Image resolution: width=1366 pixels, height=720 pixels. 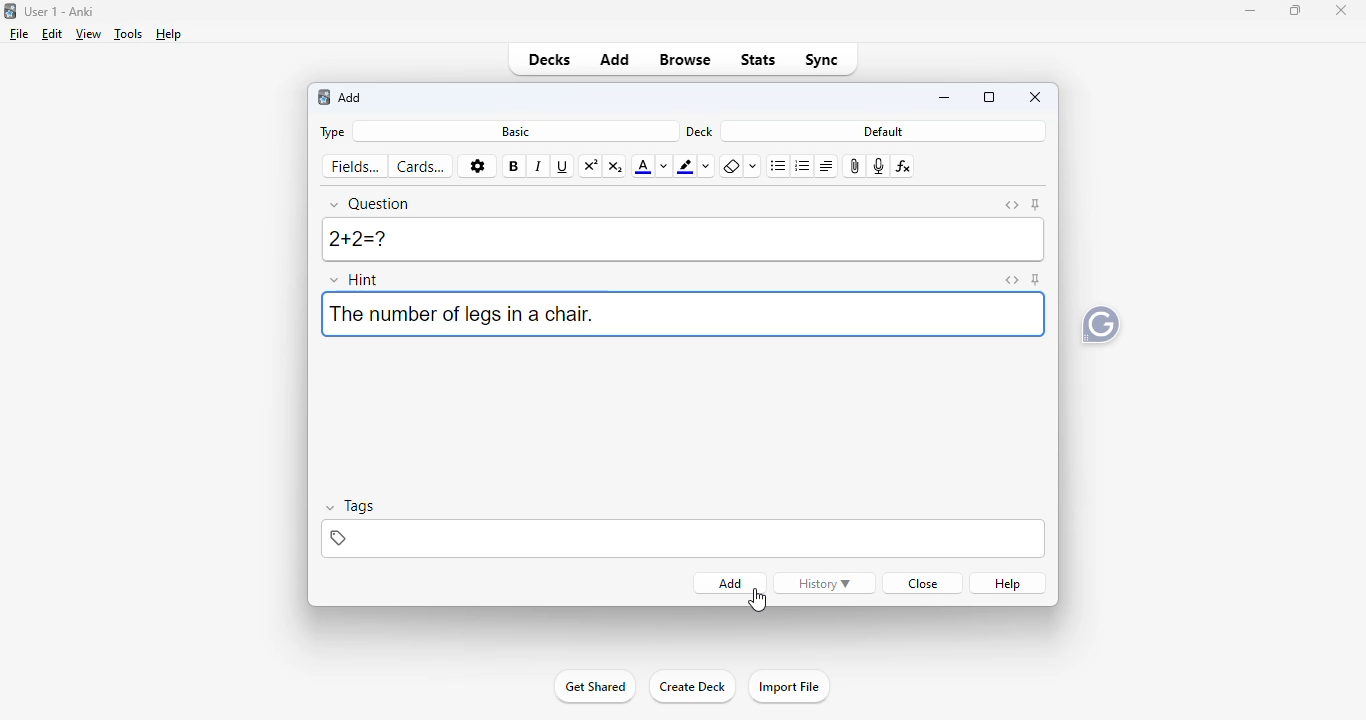 I want to click on add, so click(x=732, y=584).